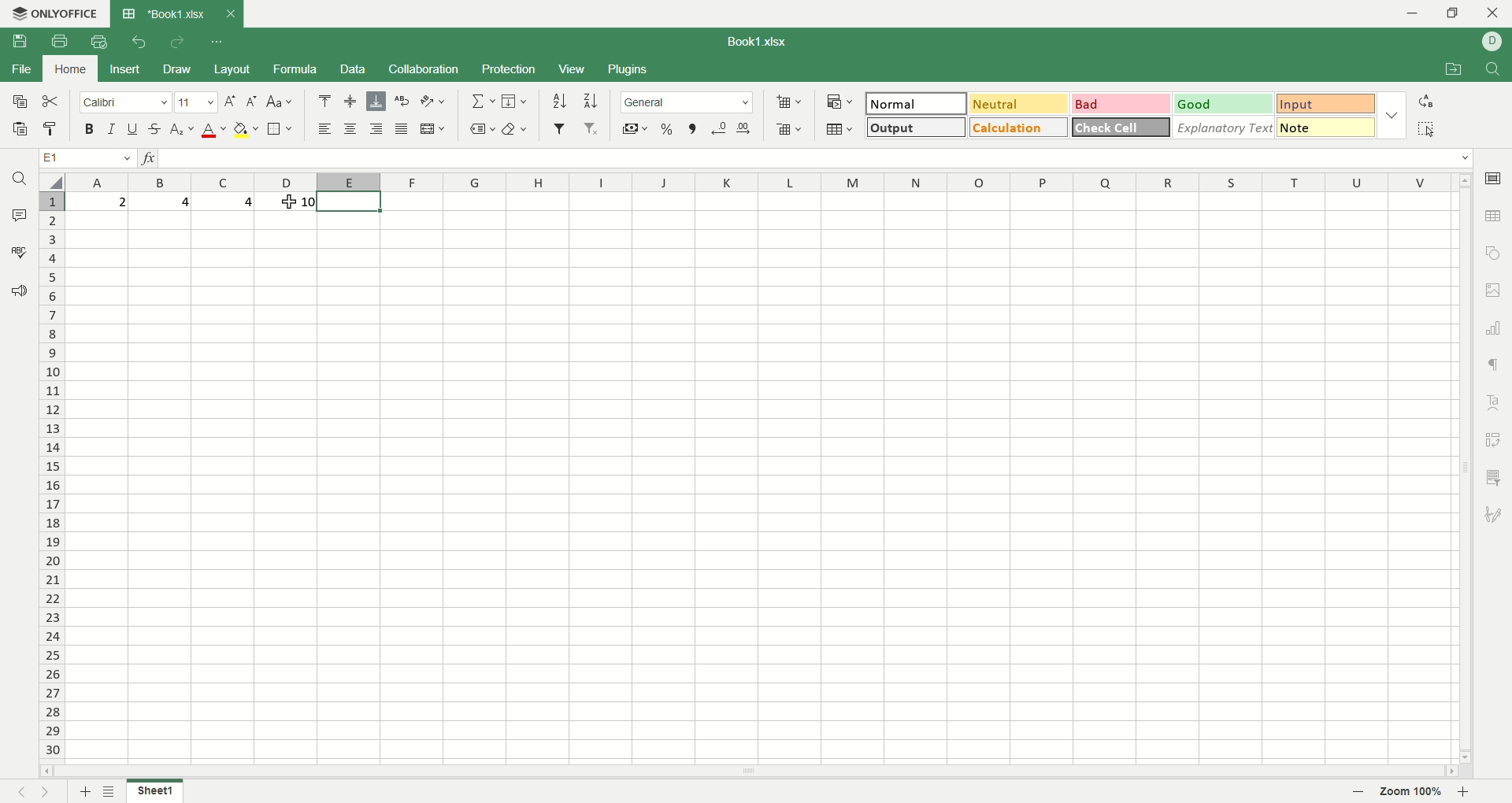 The height and width of the screenshot is (803, 1512). Describe the element at coordinates (98, 42) in the screenshot. I see `quick PRINT` at that location.